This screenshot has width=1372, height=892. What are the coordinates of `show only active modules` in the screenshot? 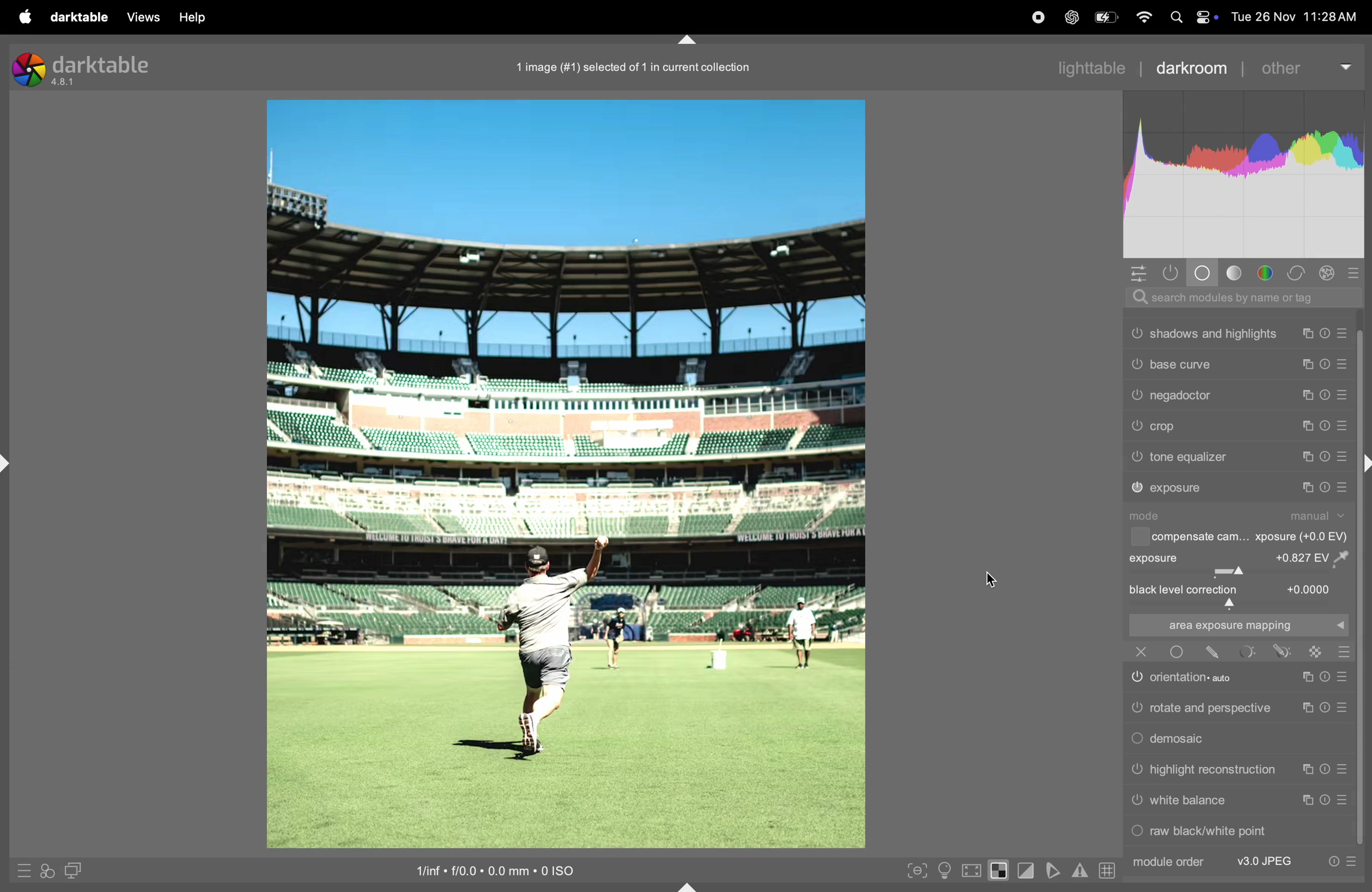 It's located at (1175, 273).